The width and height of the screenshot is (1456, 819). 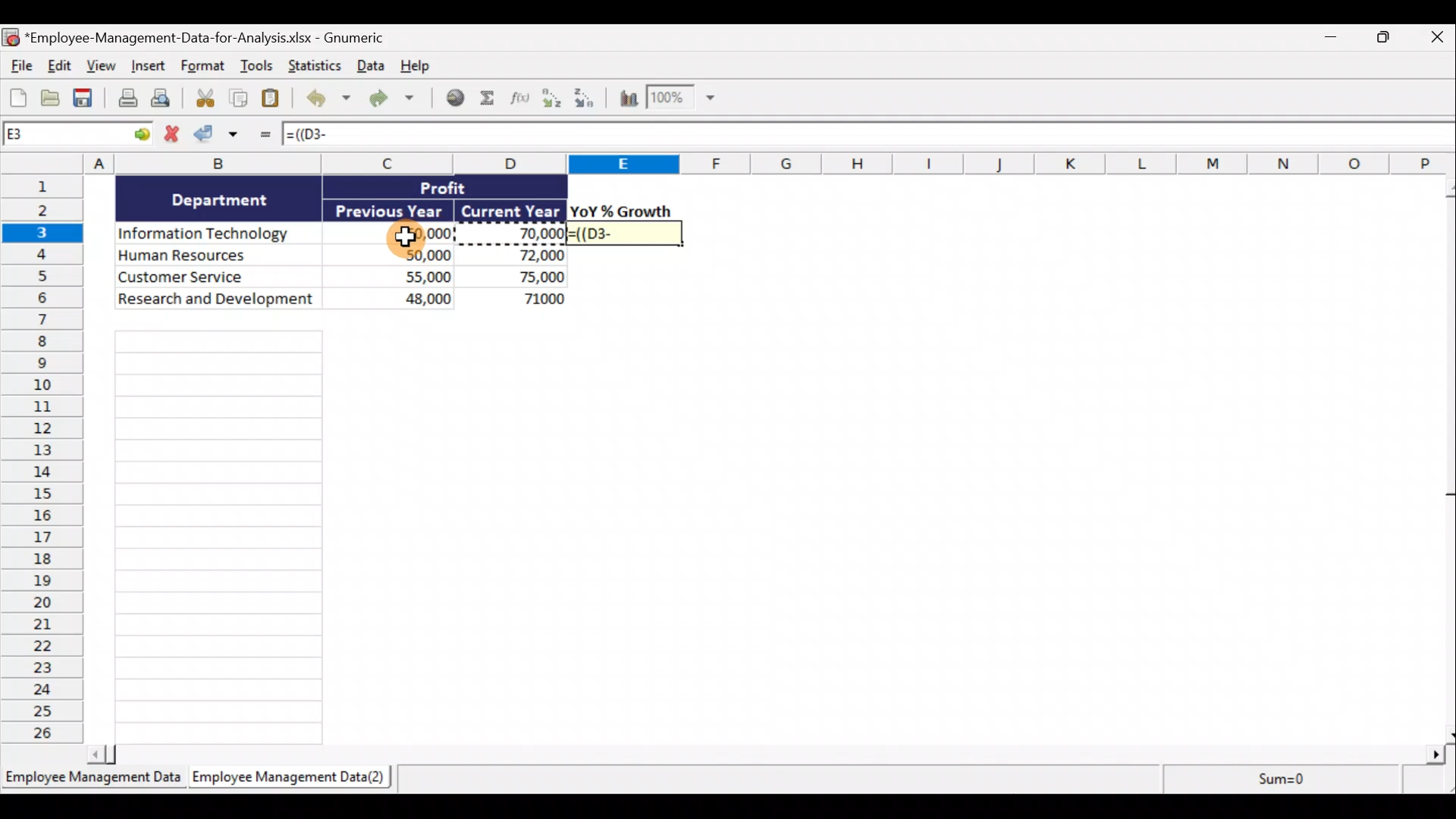 What do you see at coordinates (524, 102) in the screenshot?
I see `Edit a function in the current cell` at bounding box center [524, 102].